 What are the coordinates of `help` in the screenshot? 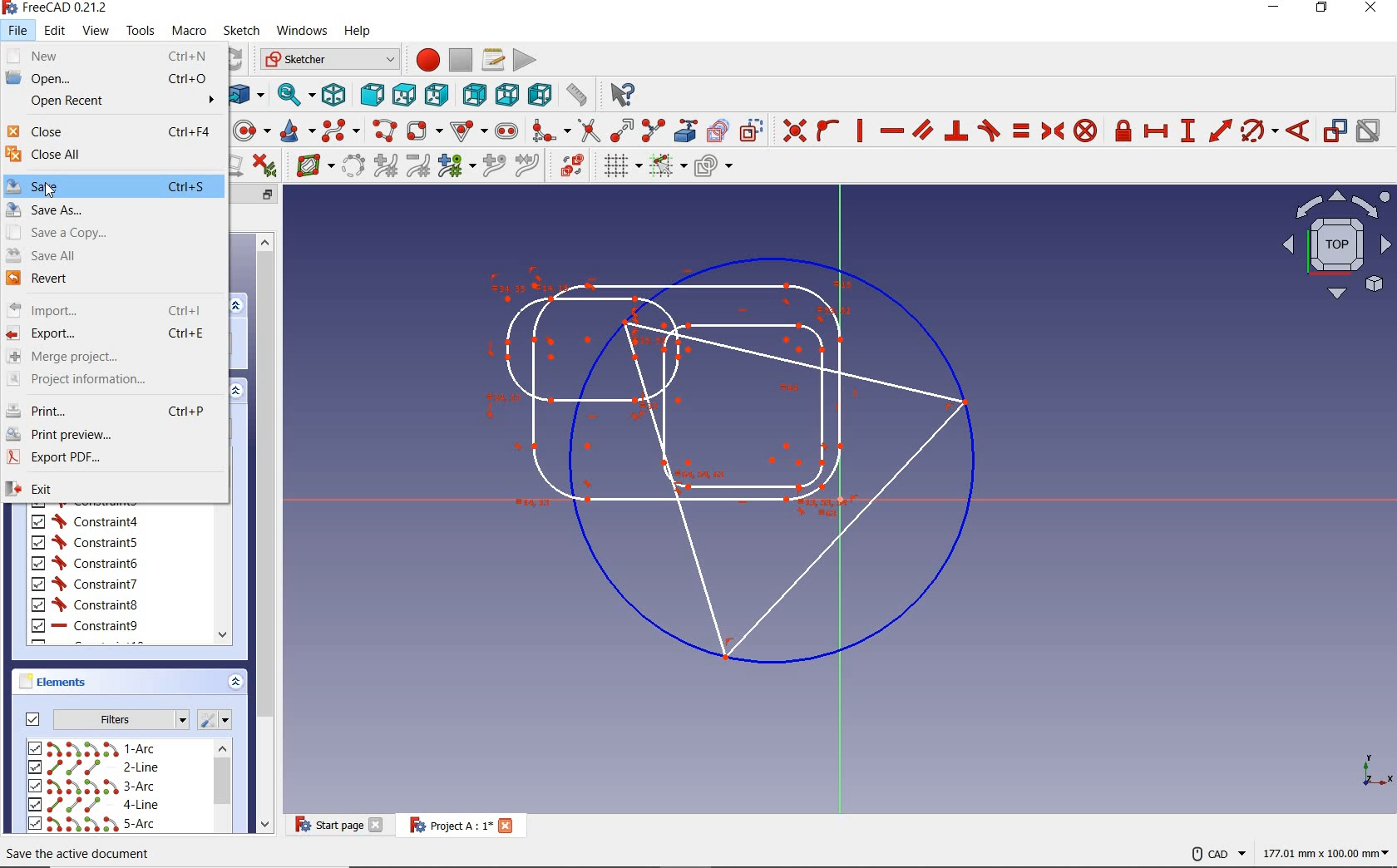 It's located at (359, 31).